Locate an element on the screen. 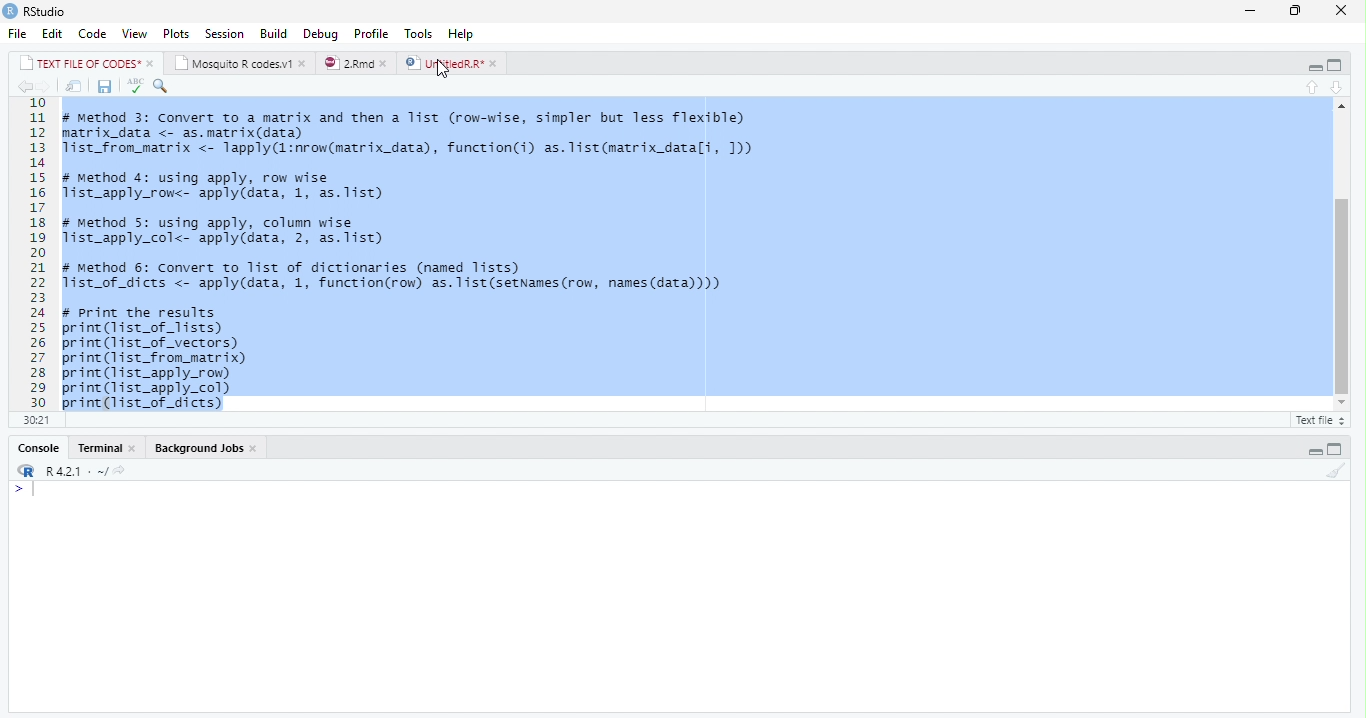 This screenshot has height=718, width=1366. Console is located at coordinates (104, 448).